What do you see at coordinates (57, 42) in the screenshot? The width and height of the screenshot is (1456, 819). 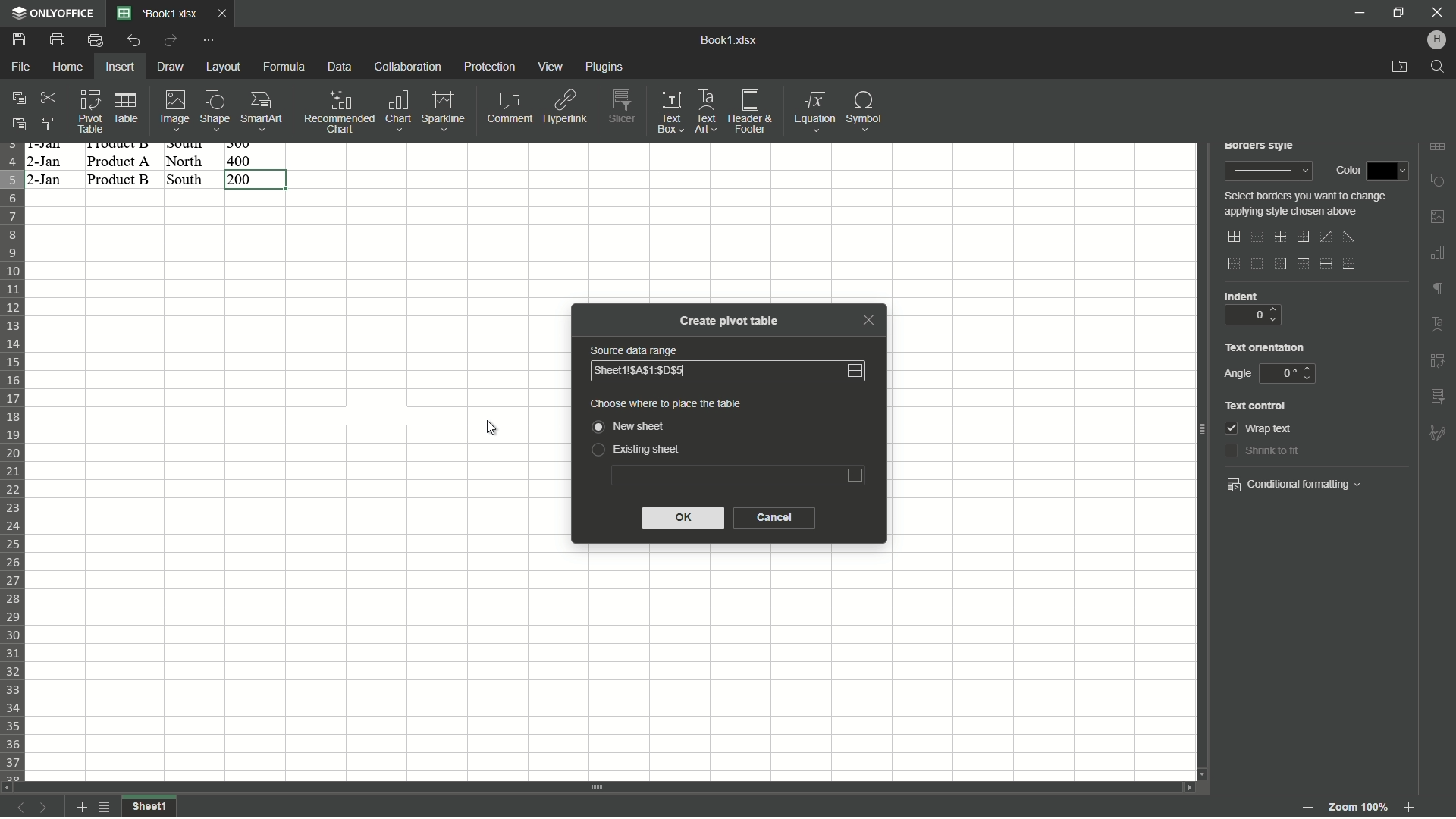 I see `Print file` at bounding box center [57, 42].